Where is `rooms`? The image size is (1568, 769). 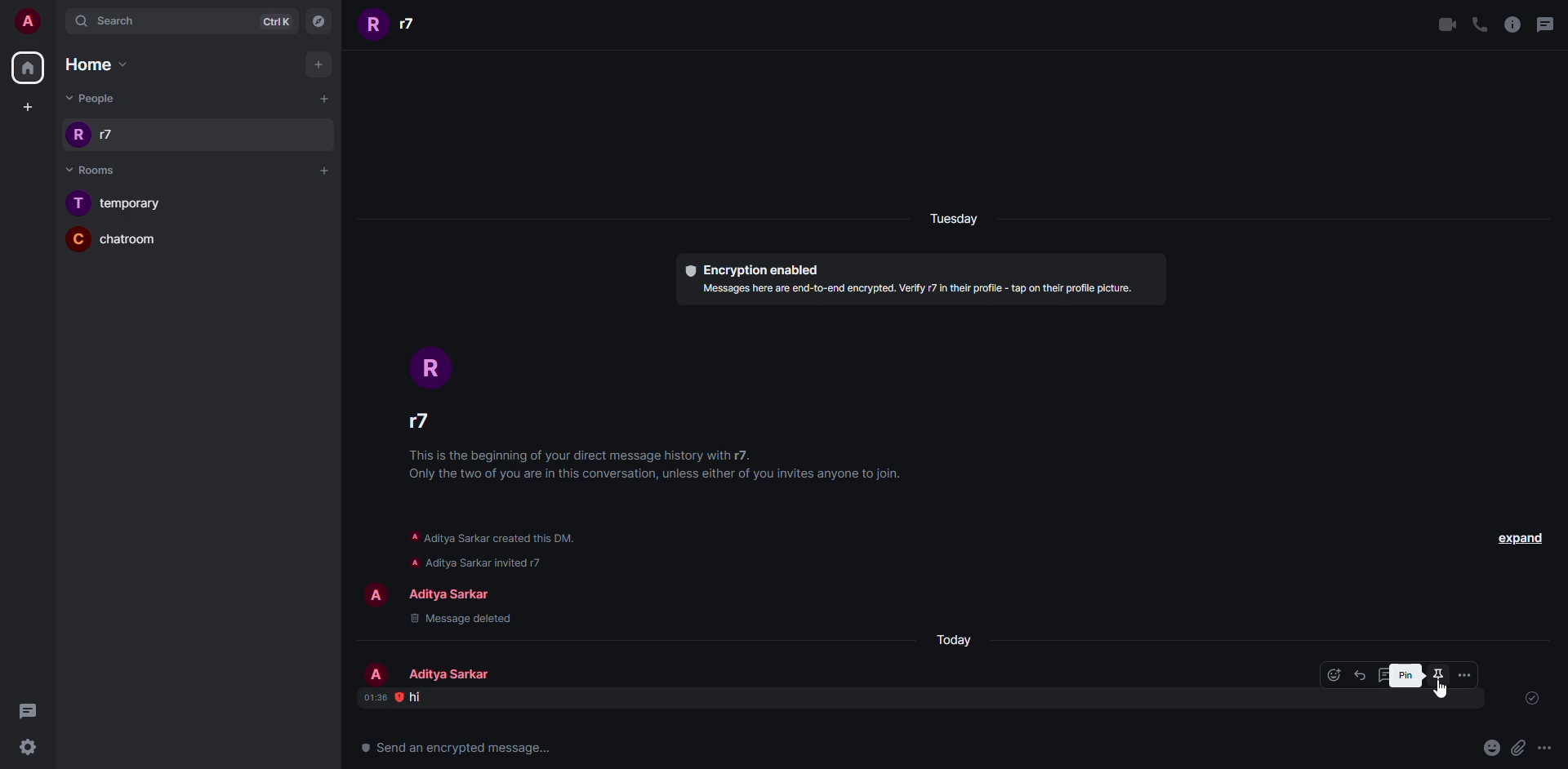
rooms is located at coordinates (99, 171).